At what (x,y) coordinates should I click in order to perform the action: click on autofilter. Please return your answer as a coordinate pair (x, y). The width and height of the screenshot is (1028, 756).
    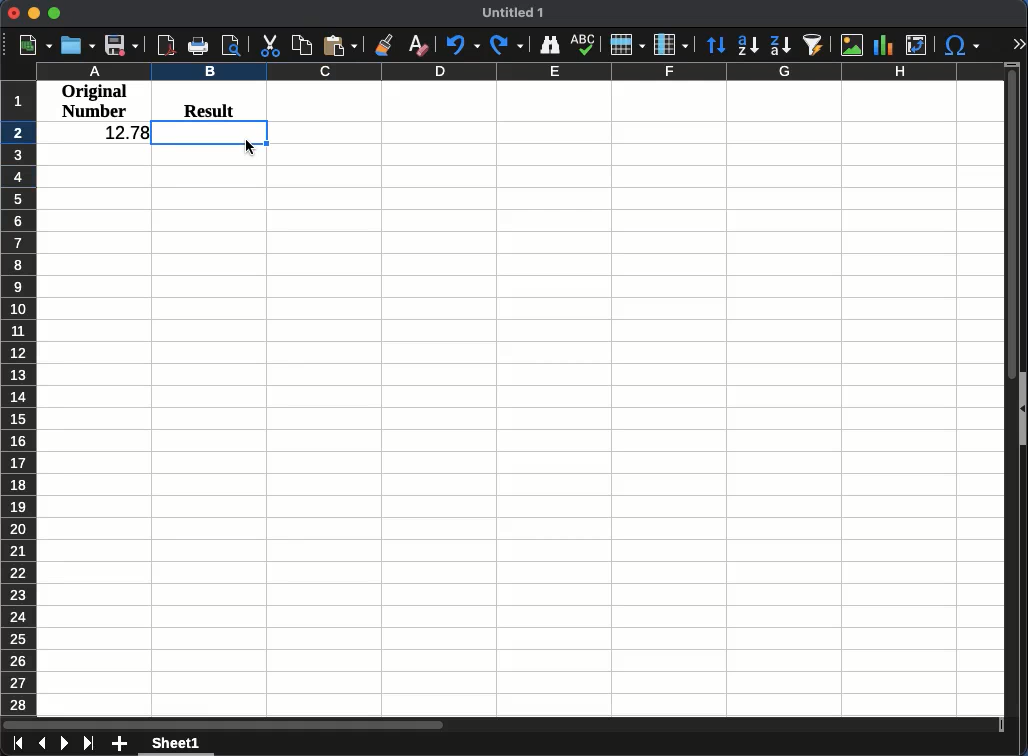
    Looking at the image, I should click on (815, 44).